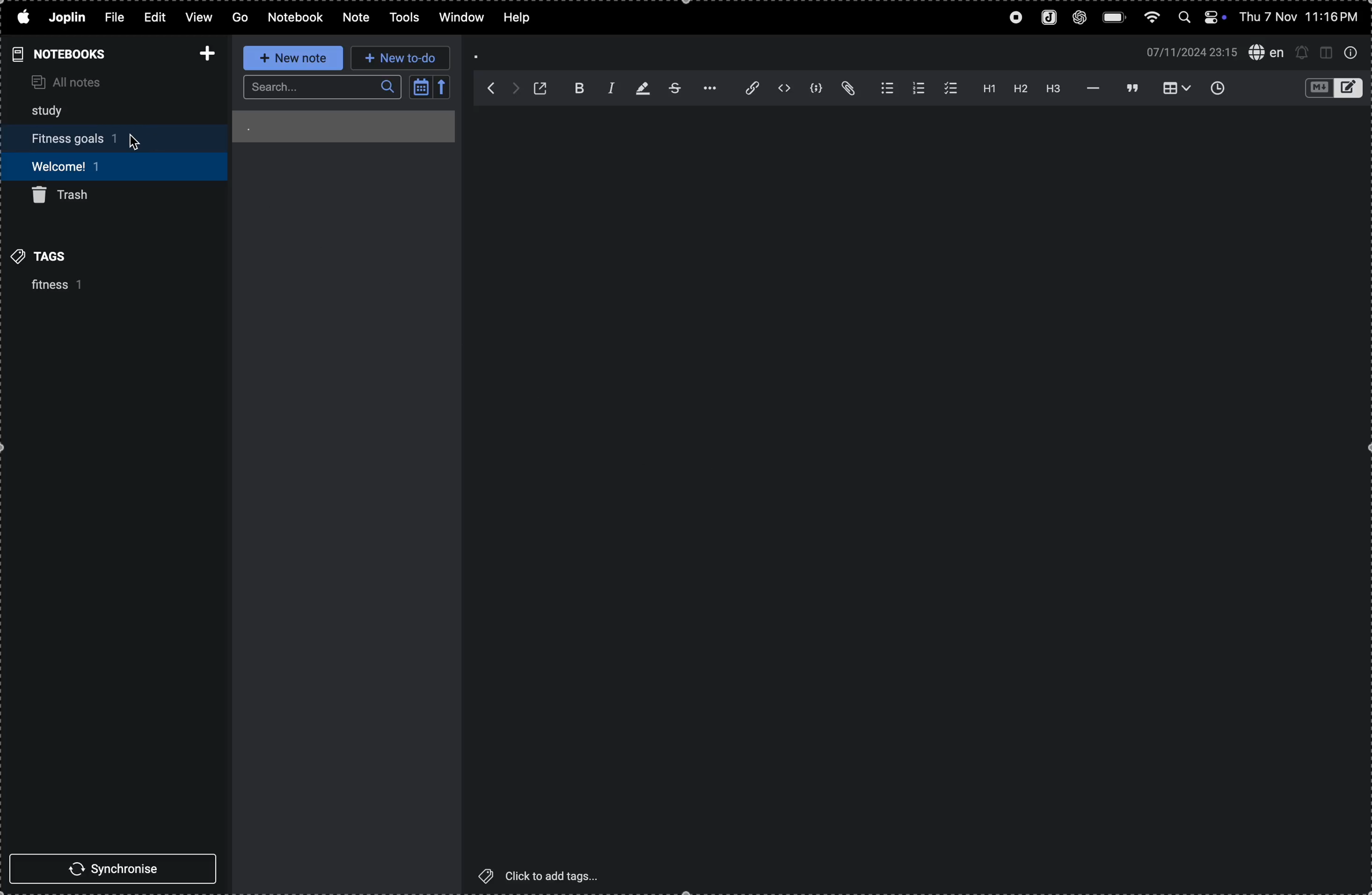  What do you see at coordinates (1051, 88) in the screenshot?
I see `heading 3` at bounding box center [1051, 88].